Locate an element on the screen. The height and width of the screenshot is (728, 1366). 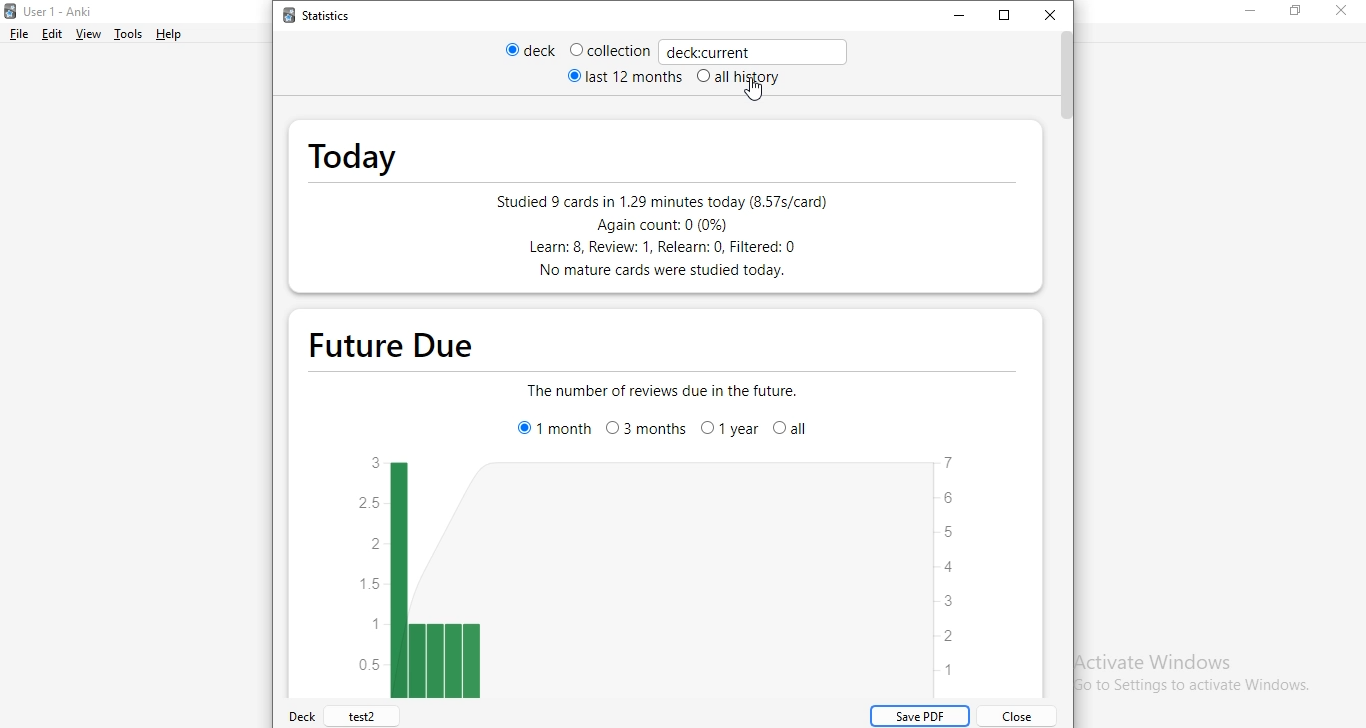
all history is located at coordinates (748, 76).